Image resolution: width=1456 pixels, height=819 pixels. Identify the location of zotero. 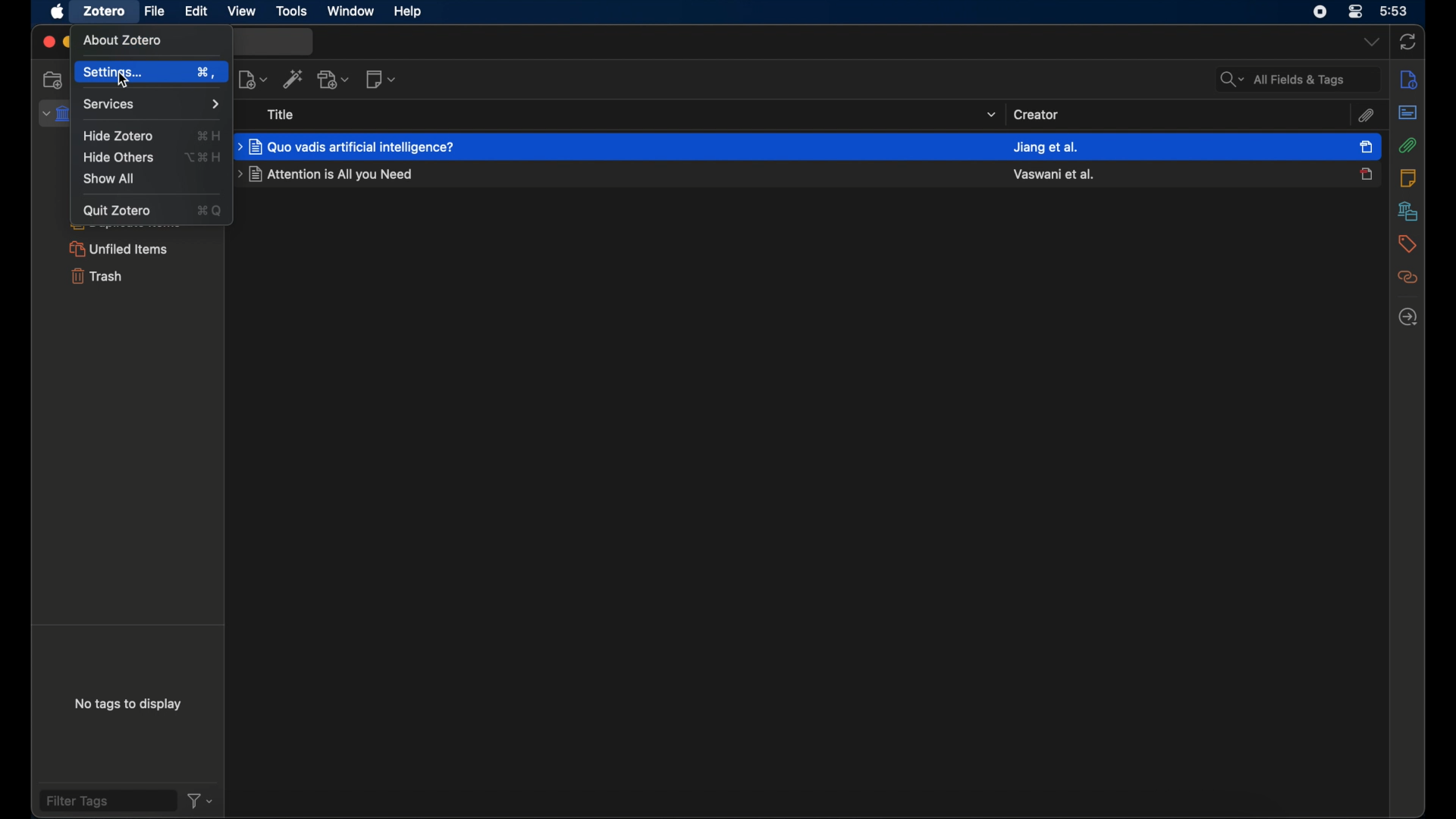
(105, 11).